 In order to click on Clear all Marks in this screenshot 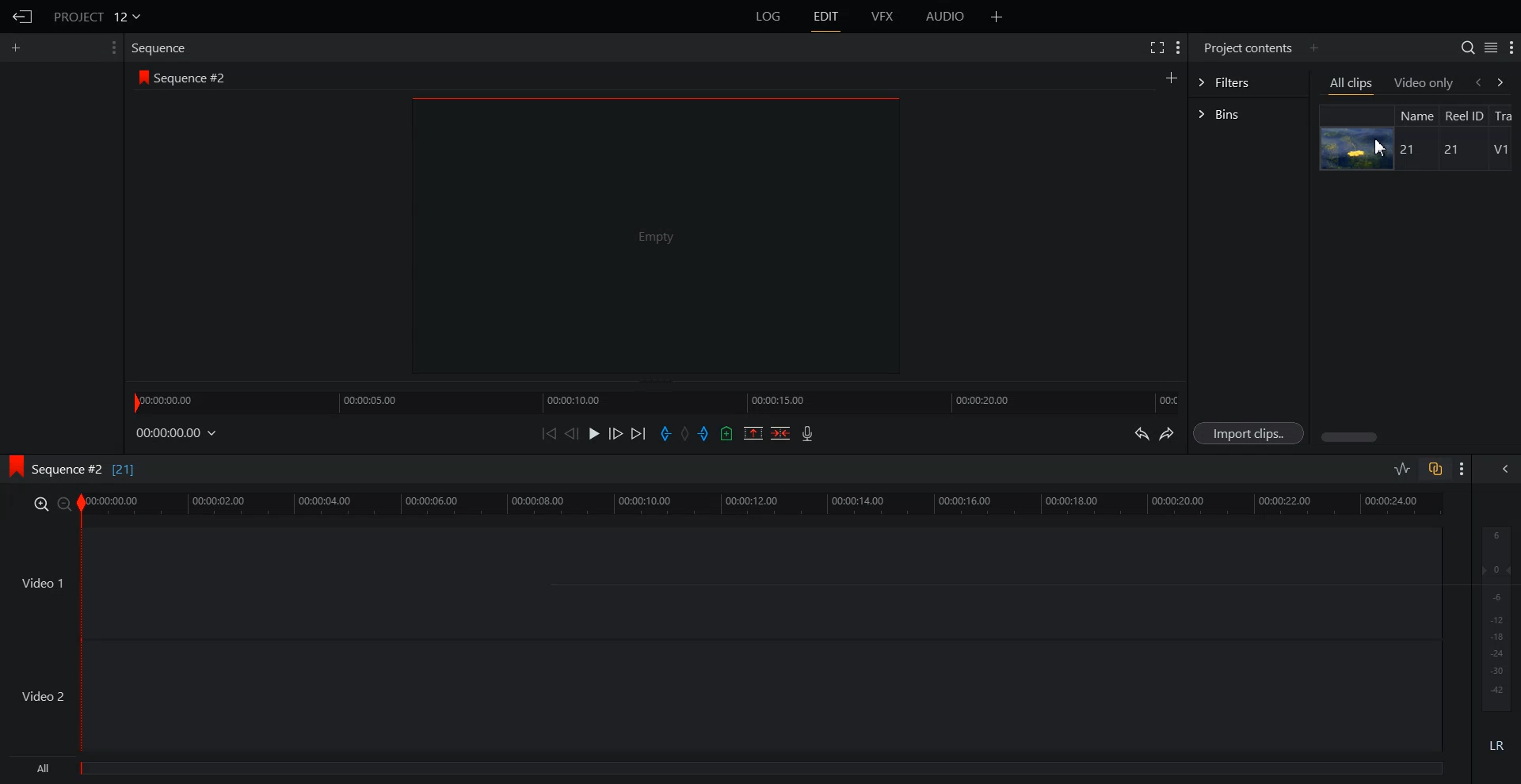, I will do `click(685, 432)`.